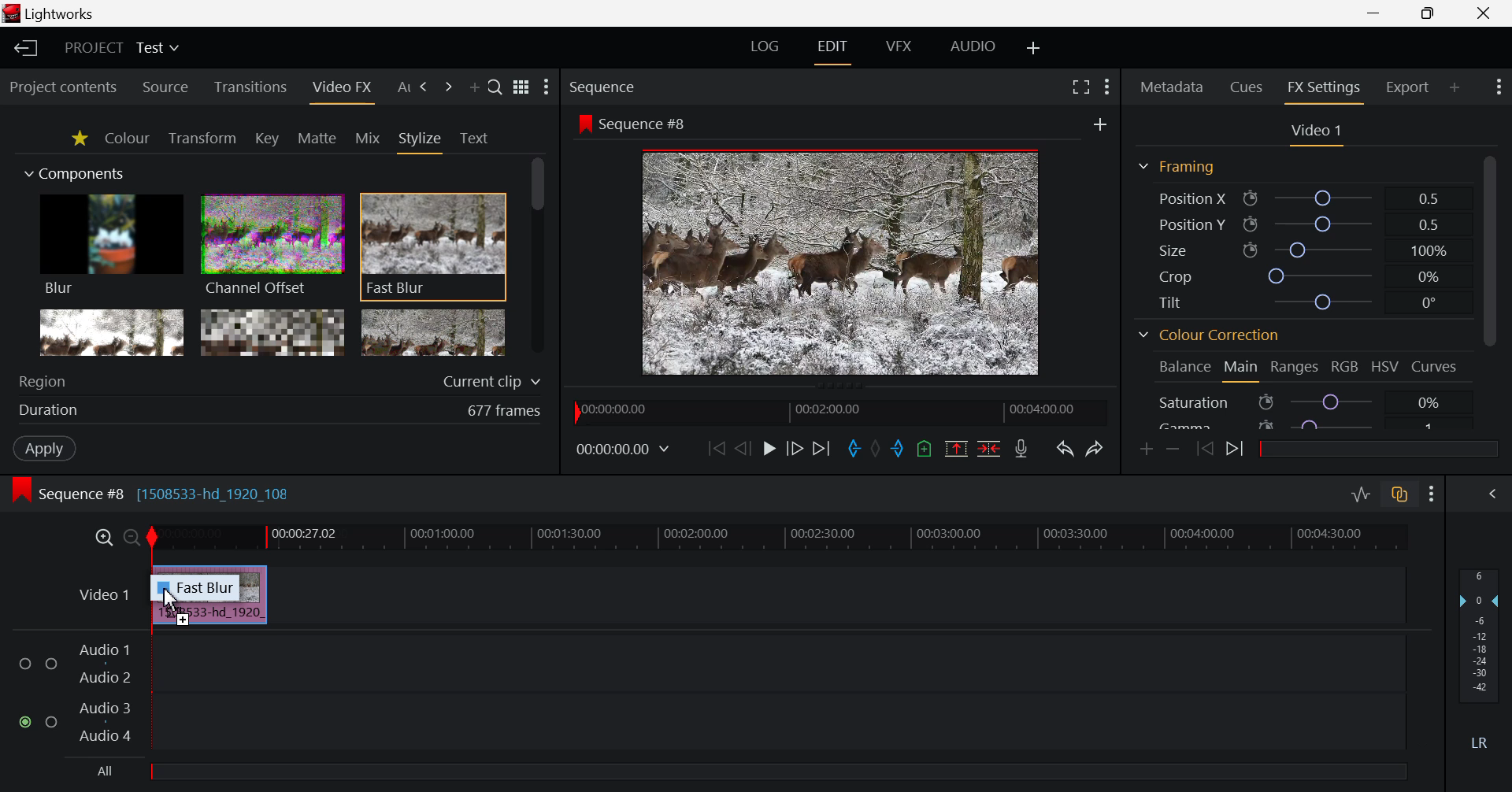  What do you see at coordinates (1398, 495) in the screenshot?
I see `Toggle Audio Track Sync` at bounding box center [1398, 495].